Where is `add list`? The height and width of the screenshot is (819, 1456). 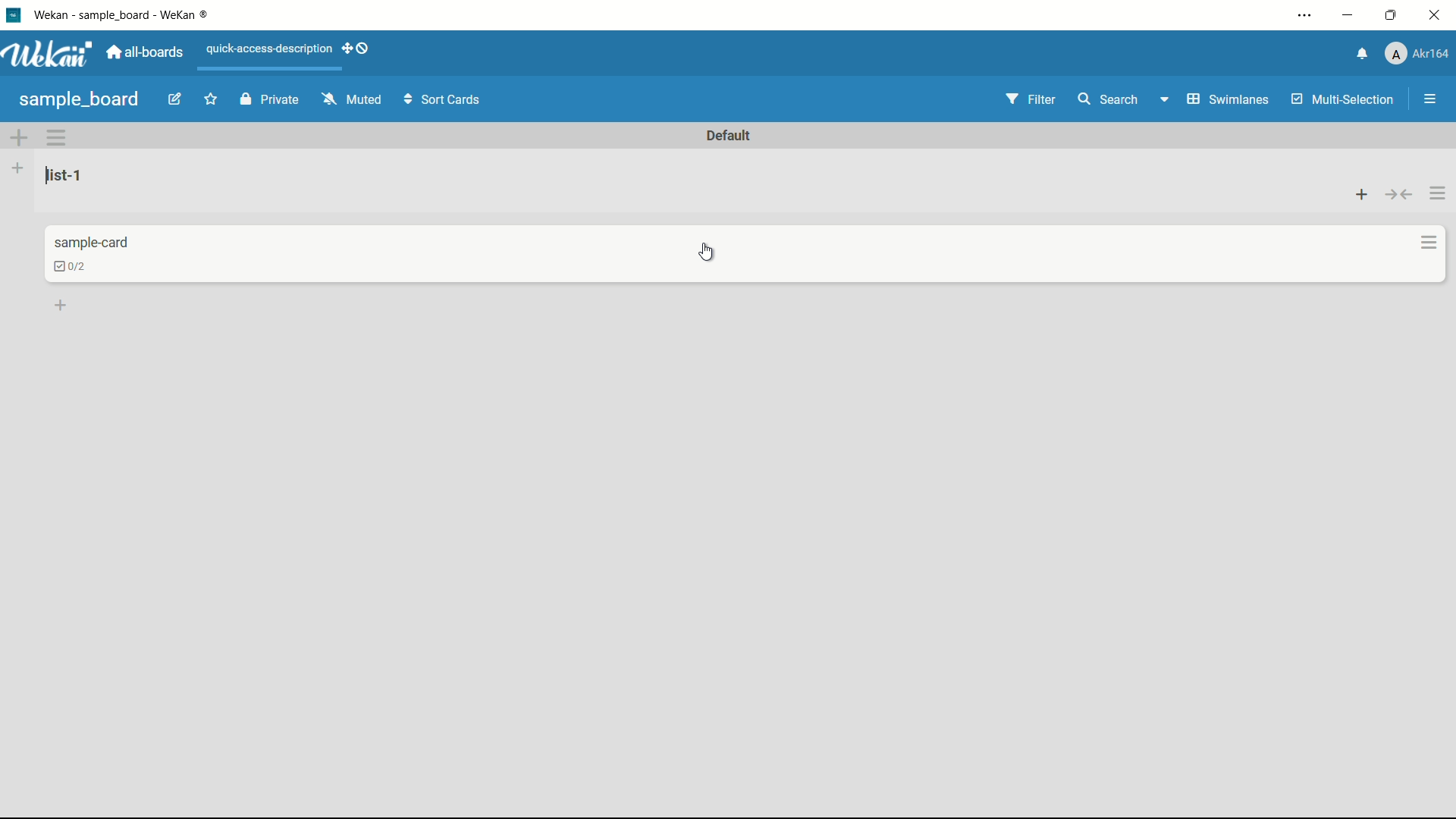
add list is located at coordinates (17, 168).